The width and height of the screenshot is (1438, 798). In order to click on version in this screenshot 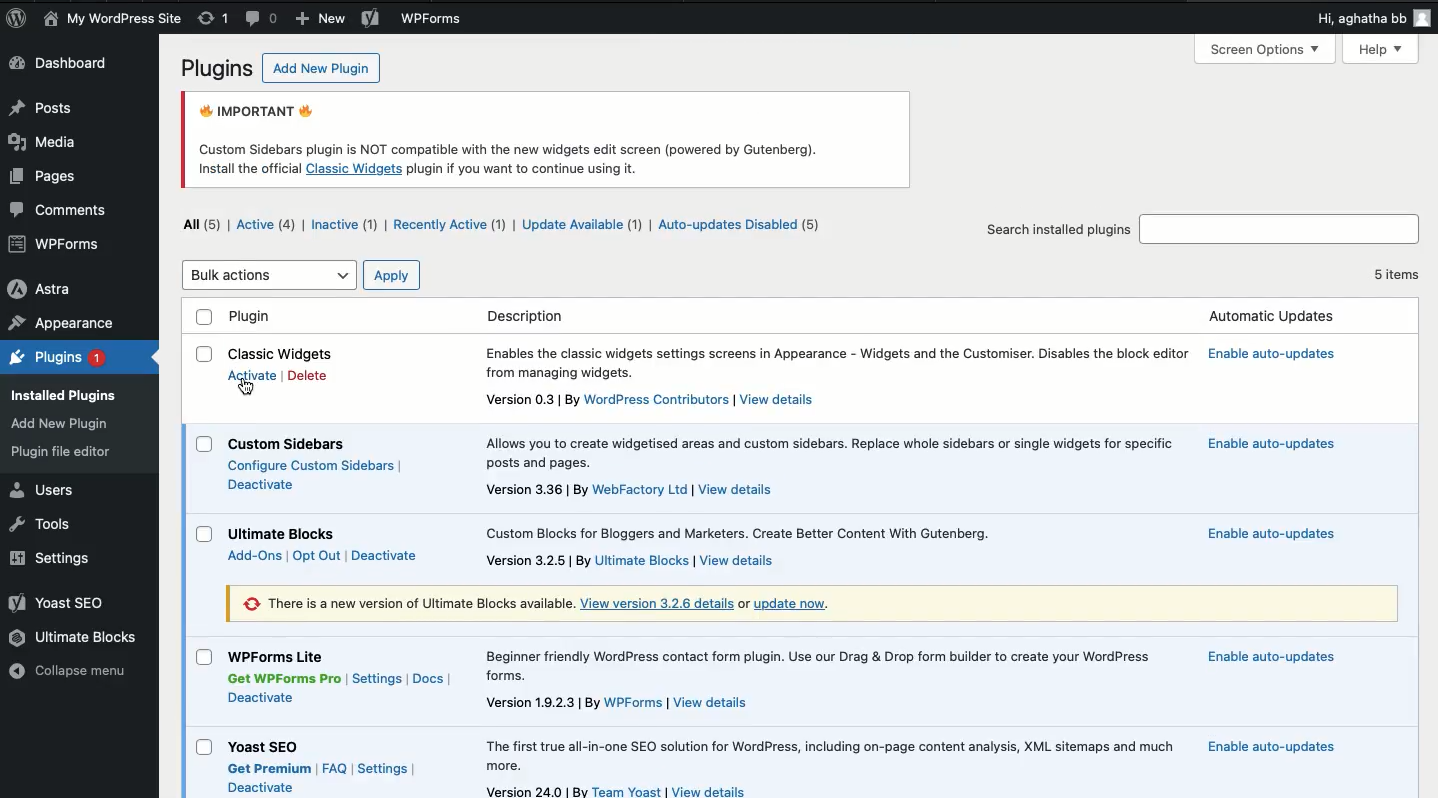, I will do `click(542, 702)`.